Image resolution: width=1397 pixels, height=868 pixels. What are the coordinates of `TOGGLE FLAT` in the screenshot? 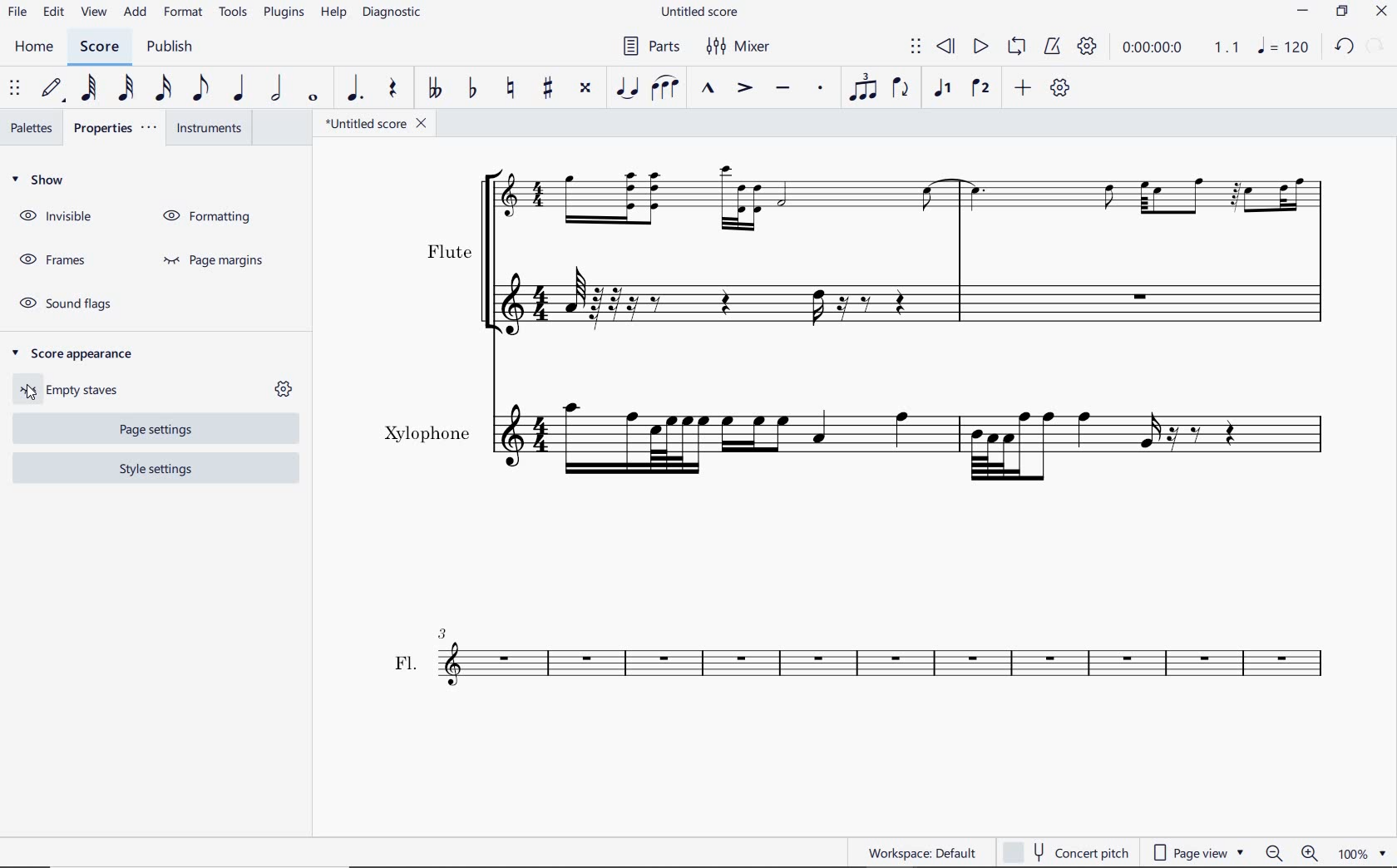 It's located at (473, 89).